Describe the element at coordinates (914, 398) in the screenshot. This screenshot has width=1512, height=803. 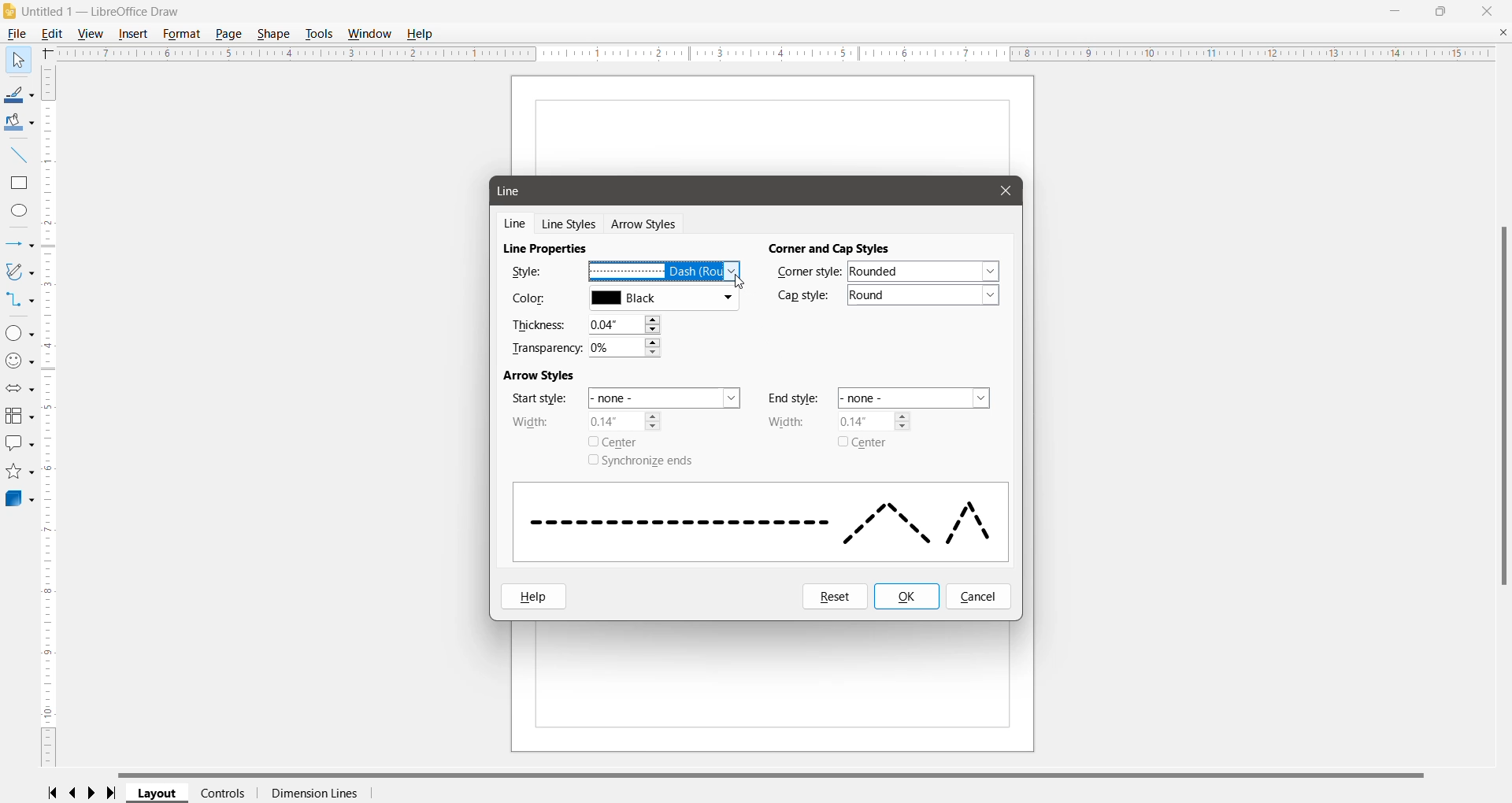
I see `Set the end style` at that location.